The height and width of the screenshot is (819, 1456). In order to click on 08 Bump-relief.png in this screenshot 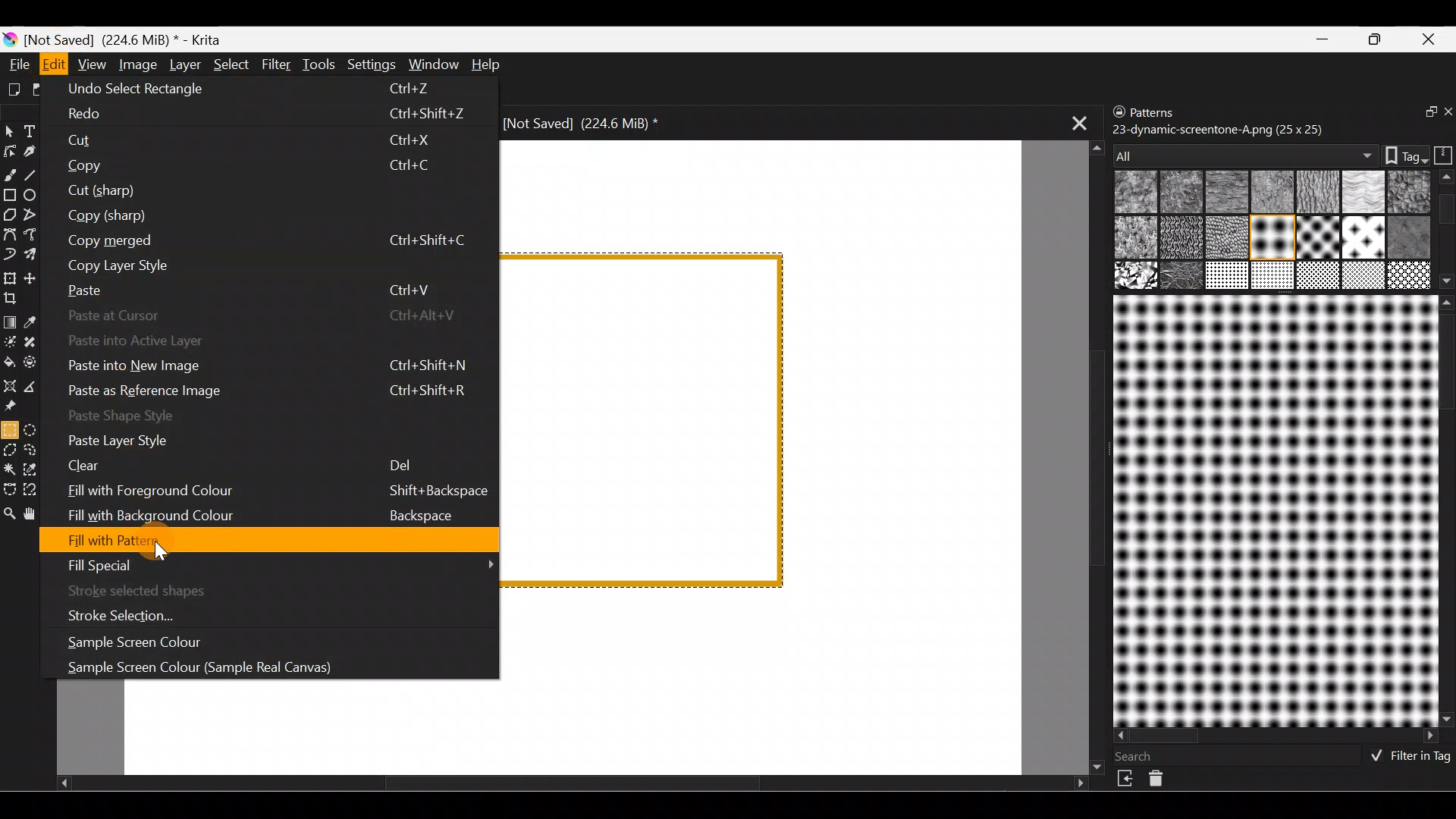, I will do `click(1139, 239)`.